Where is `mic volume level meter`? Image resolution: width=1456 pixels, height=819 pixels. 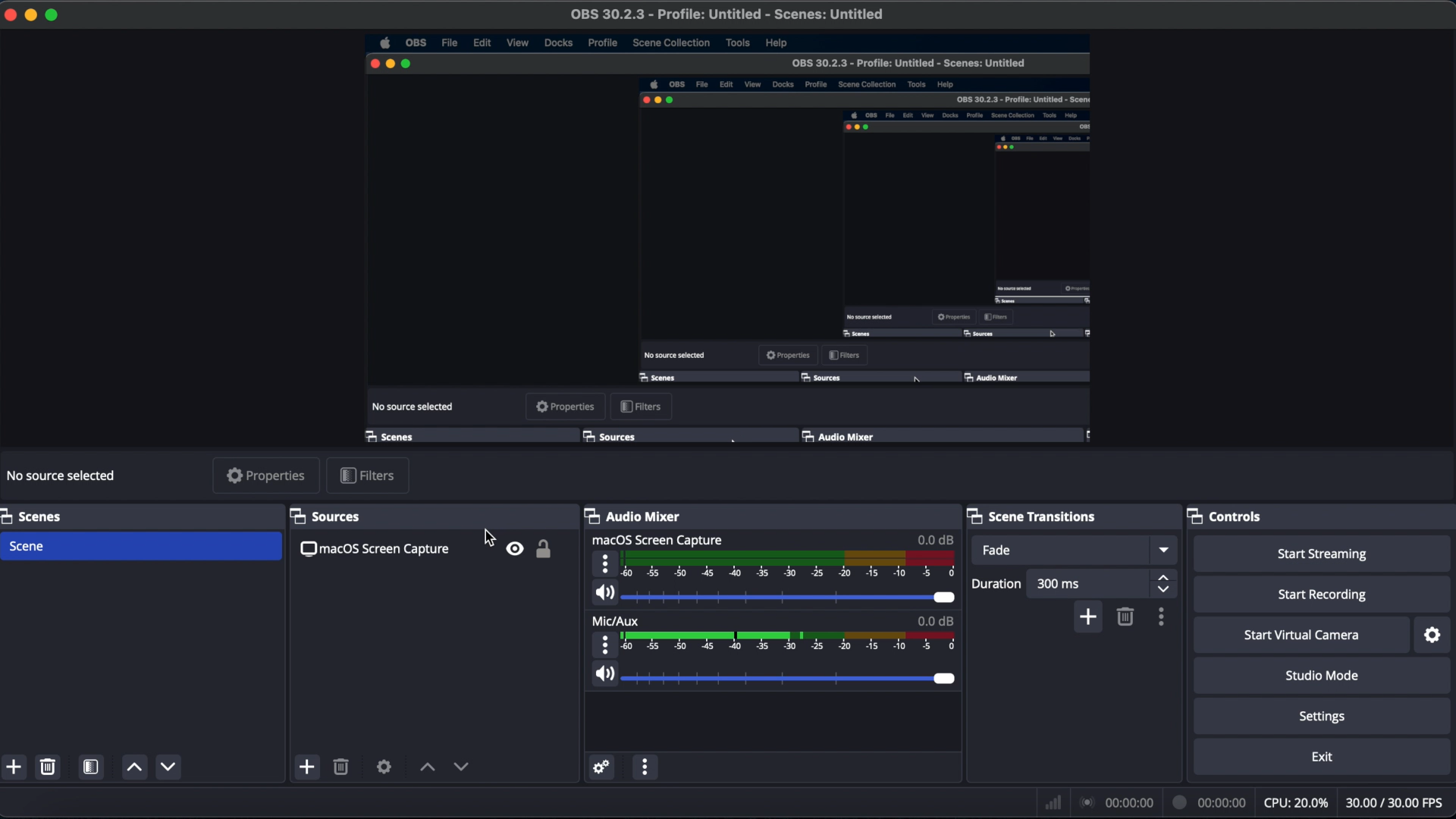 mic volume level meter is located at coordinates (789, 642).